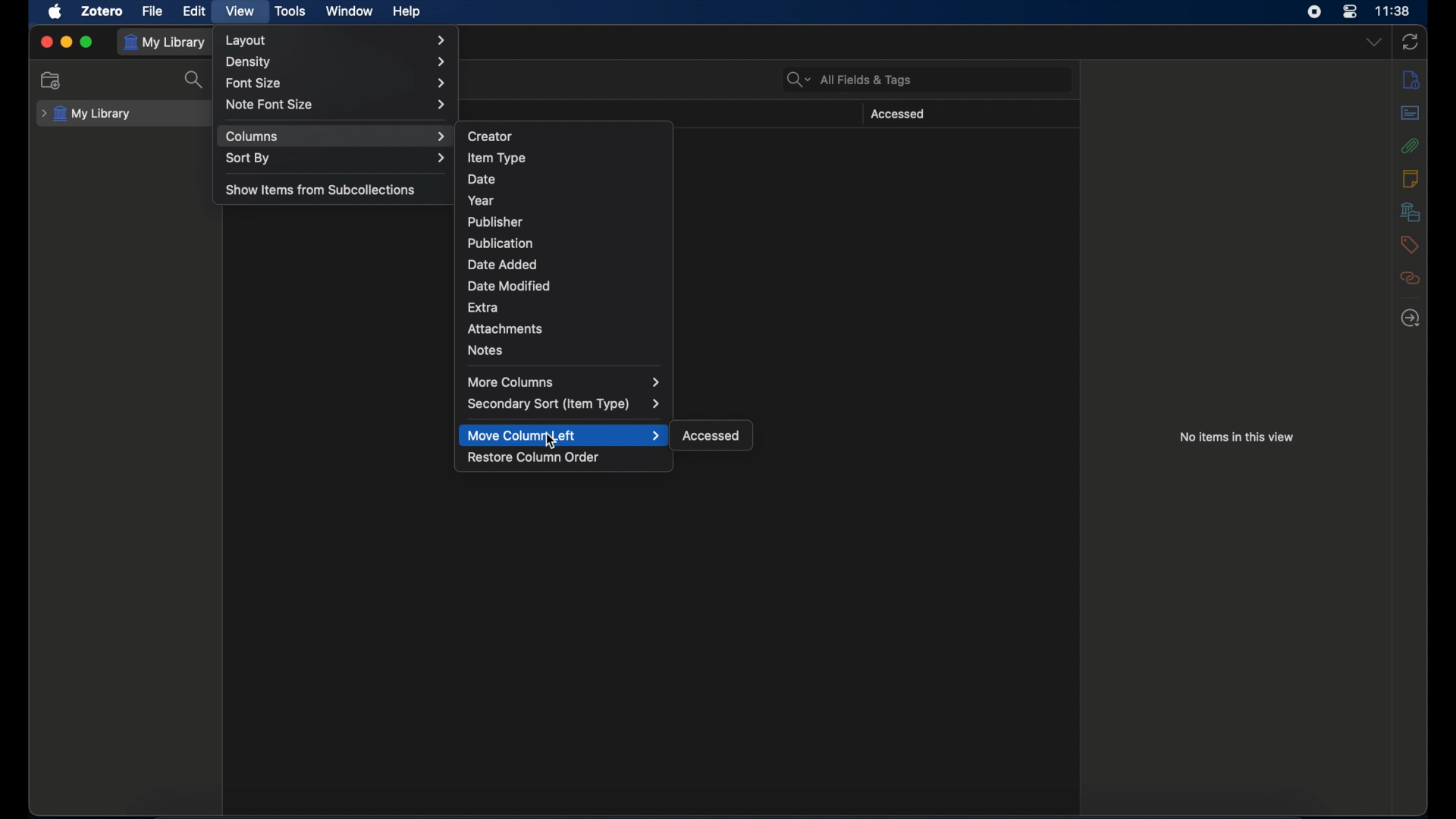  I want to click on time, so click(1393, 11).